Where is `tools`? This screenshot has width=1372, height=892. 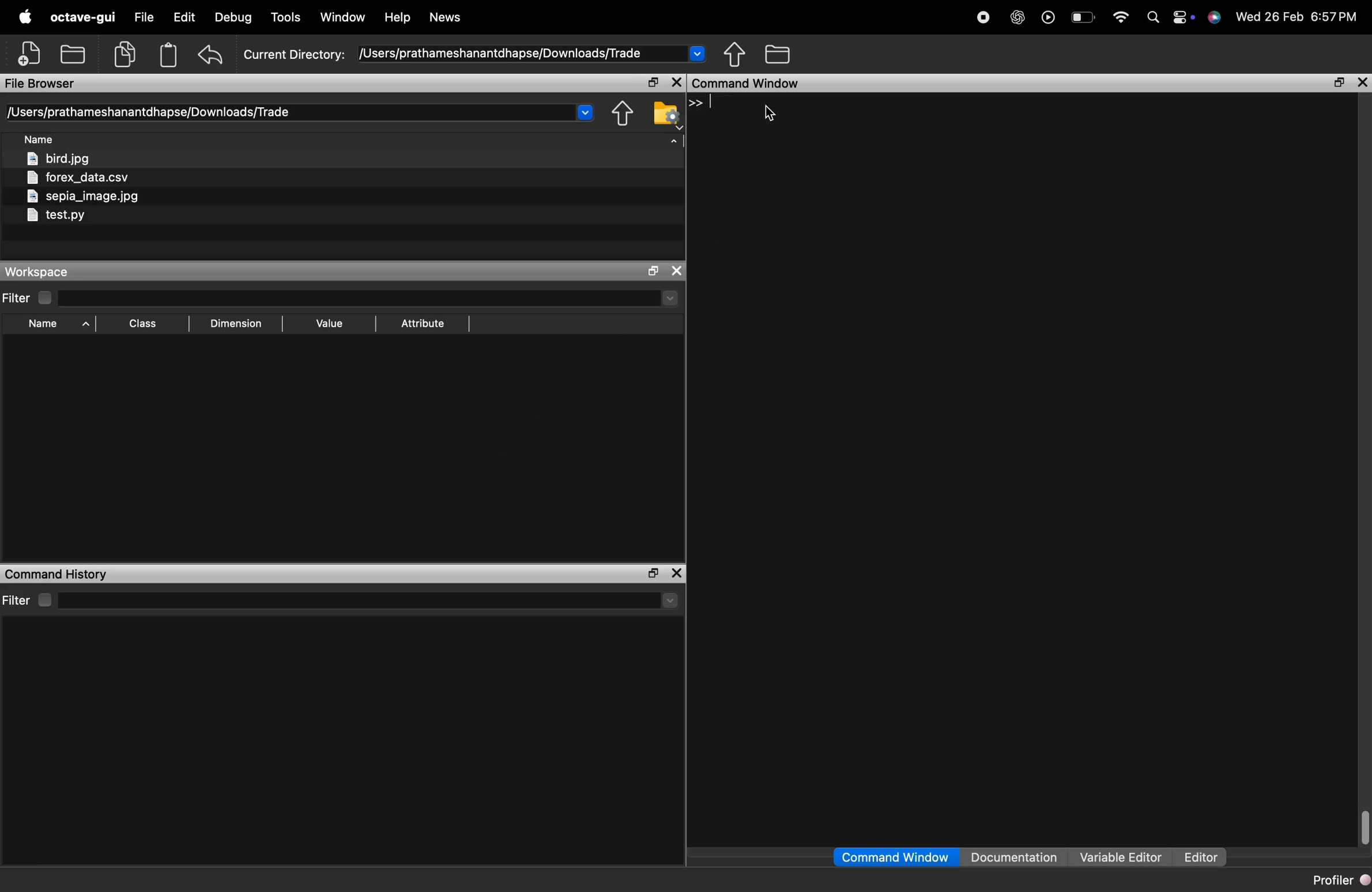 tools is located at coordinates (288, 17).